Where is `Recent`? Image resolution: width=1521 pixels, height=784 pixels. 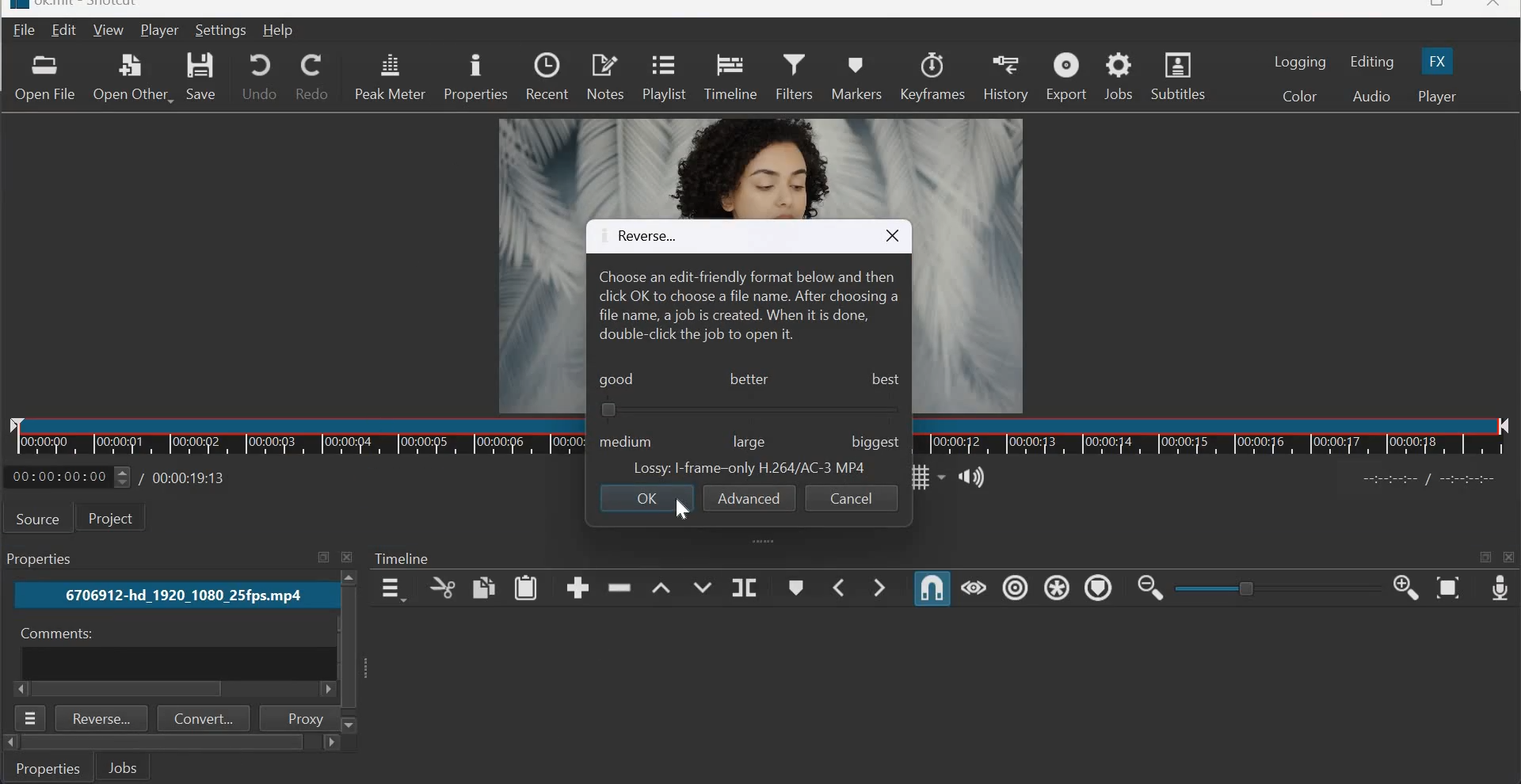
Recent is located at coordinates (547, 77).